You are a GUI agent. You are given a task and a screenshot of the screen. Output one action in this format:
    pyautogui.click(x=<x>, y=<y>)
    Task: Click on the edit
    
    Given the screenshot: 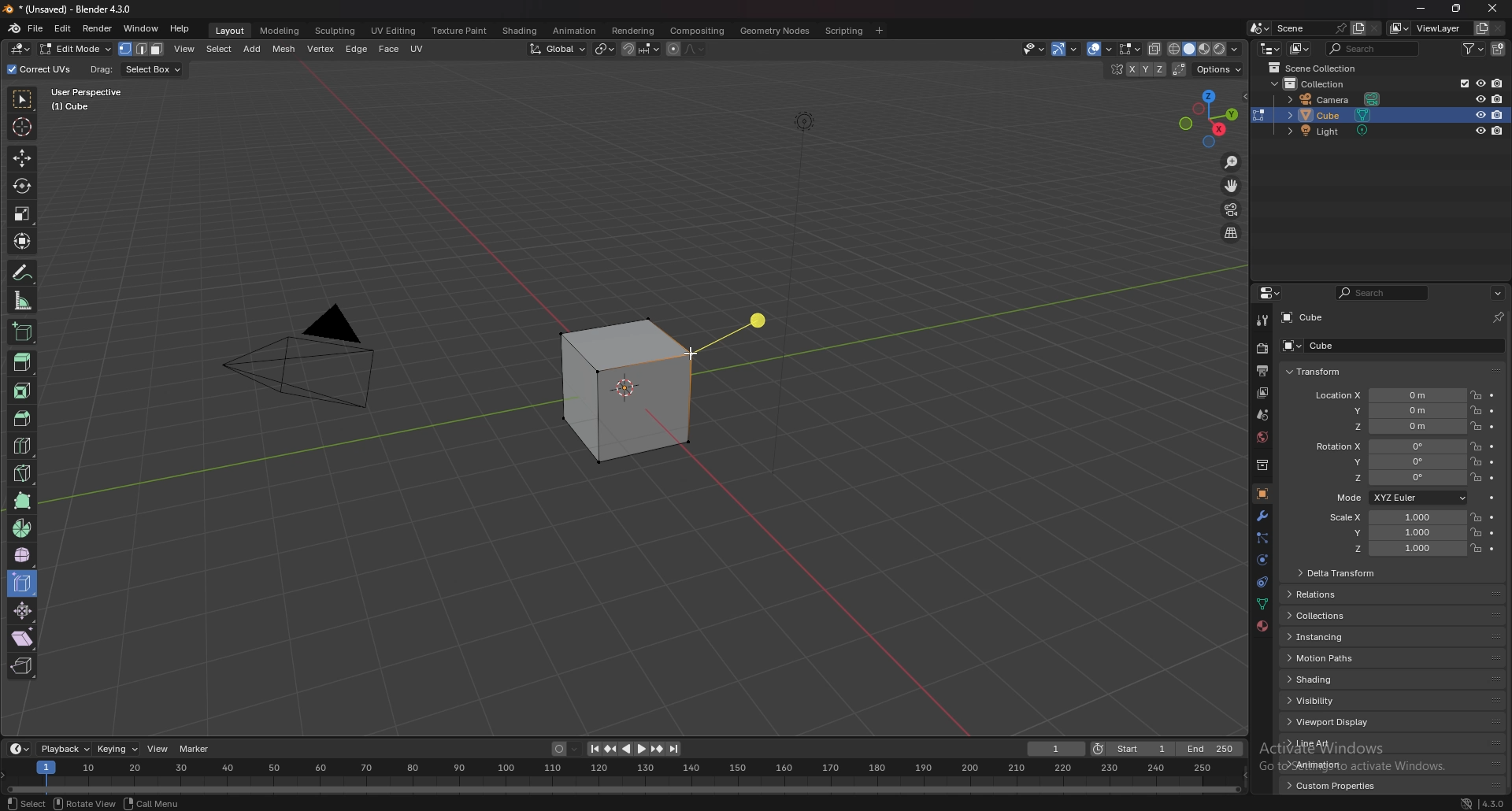 What is the action you would take?
    pyautogui.click(x=63, y=30)
    